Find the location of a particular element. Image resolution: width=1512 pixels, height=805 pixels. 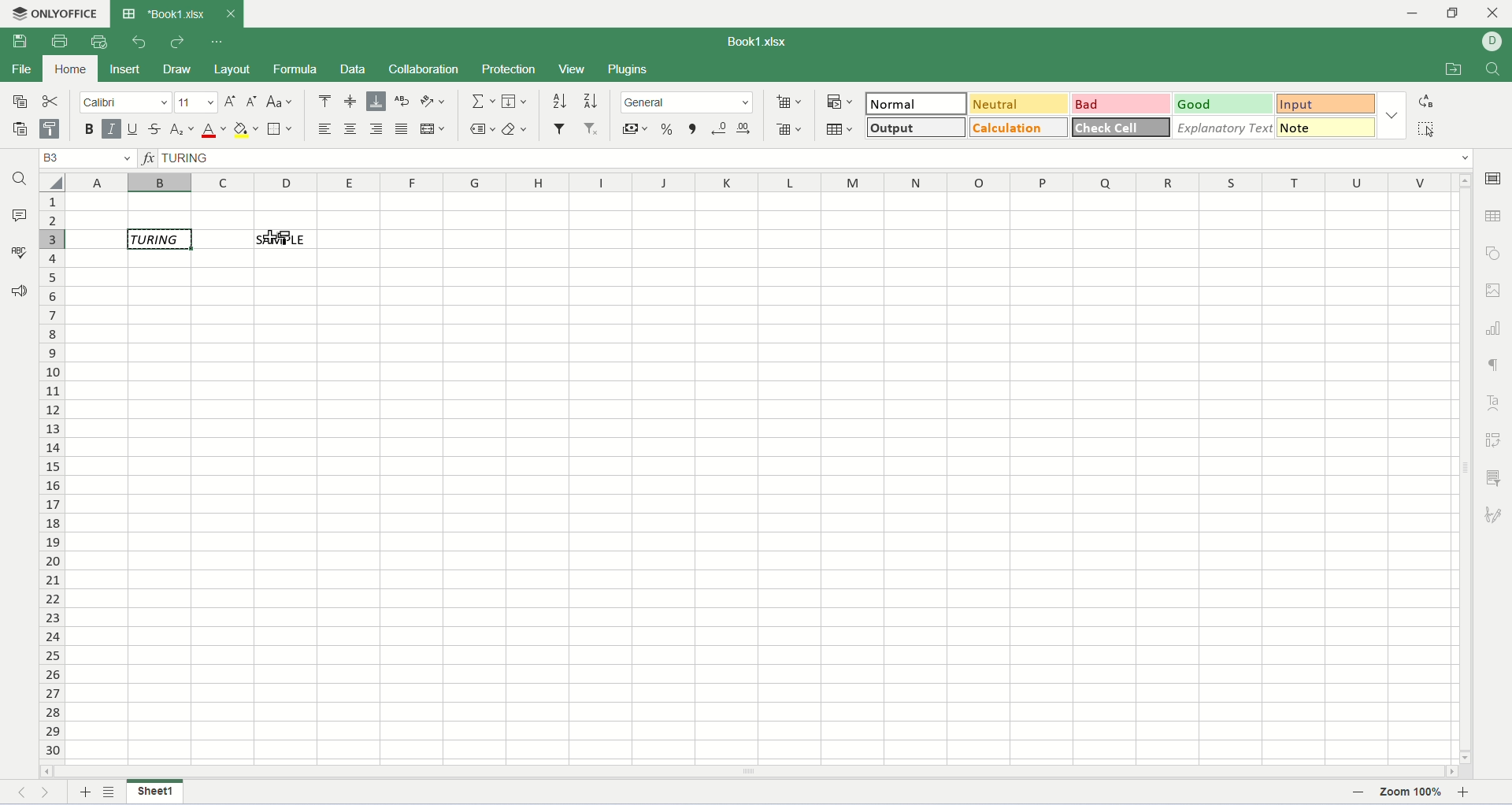

decrease decimal is located at coordinates (720, 130).